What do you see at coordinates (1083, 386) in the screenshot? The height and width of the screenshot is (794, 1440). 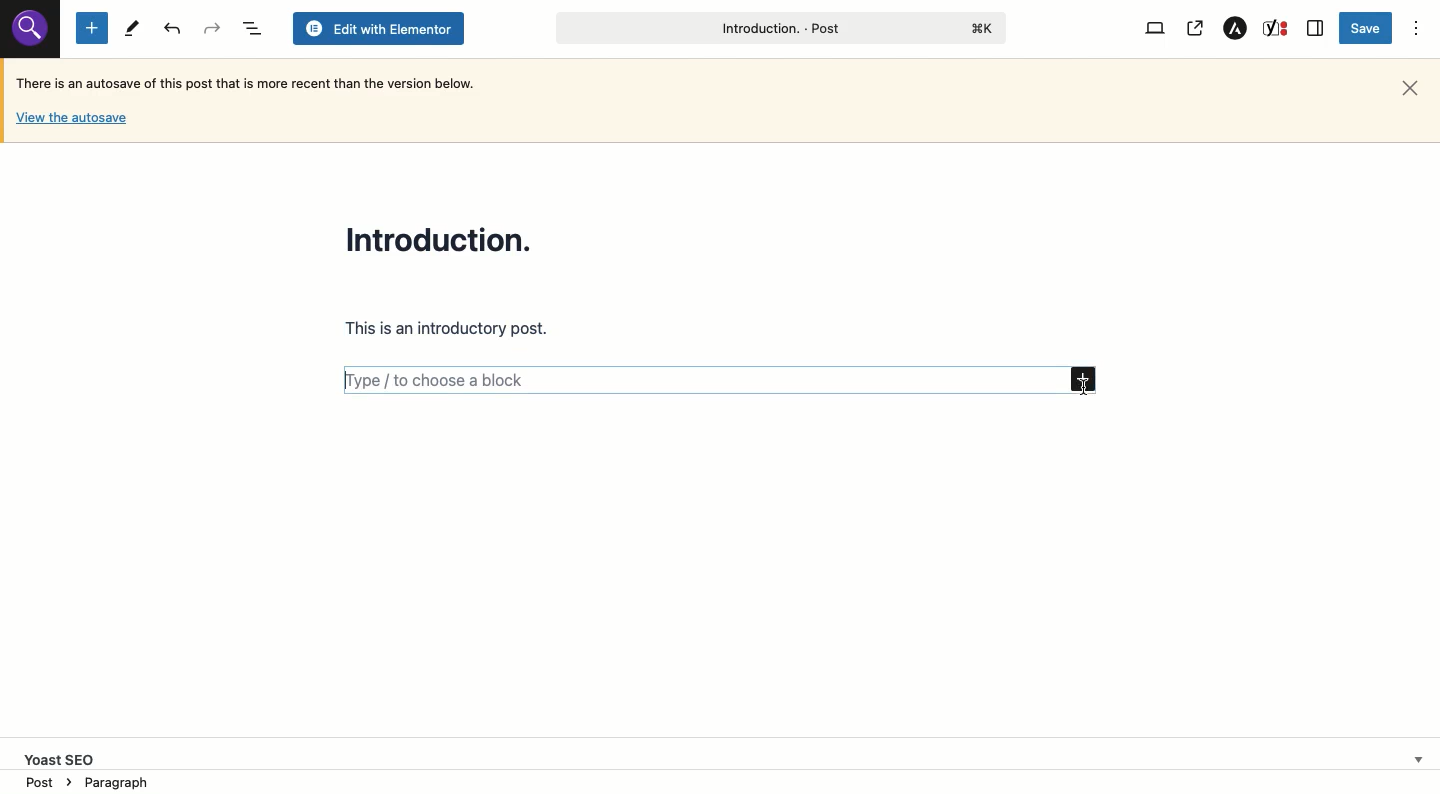 I see `cursor` at bounding box center [1083, 386].